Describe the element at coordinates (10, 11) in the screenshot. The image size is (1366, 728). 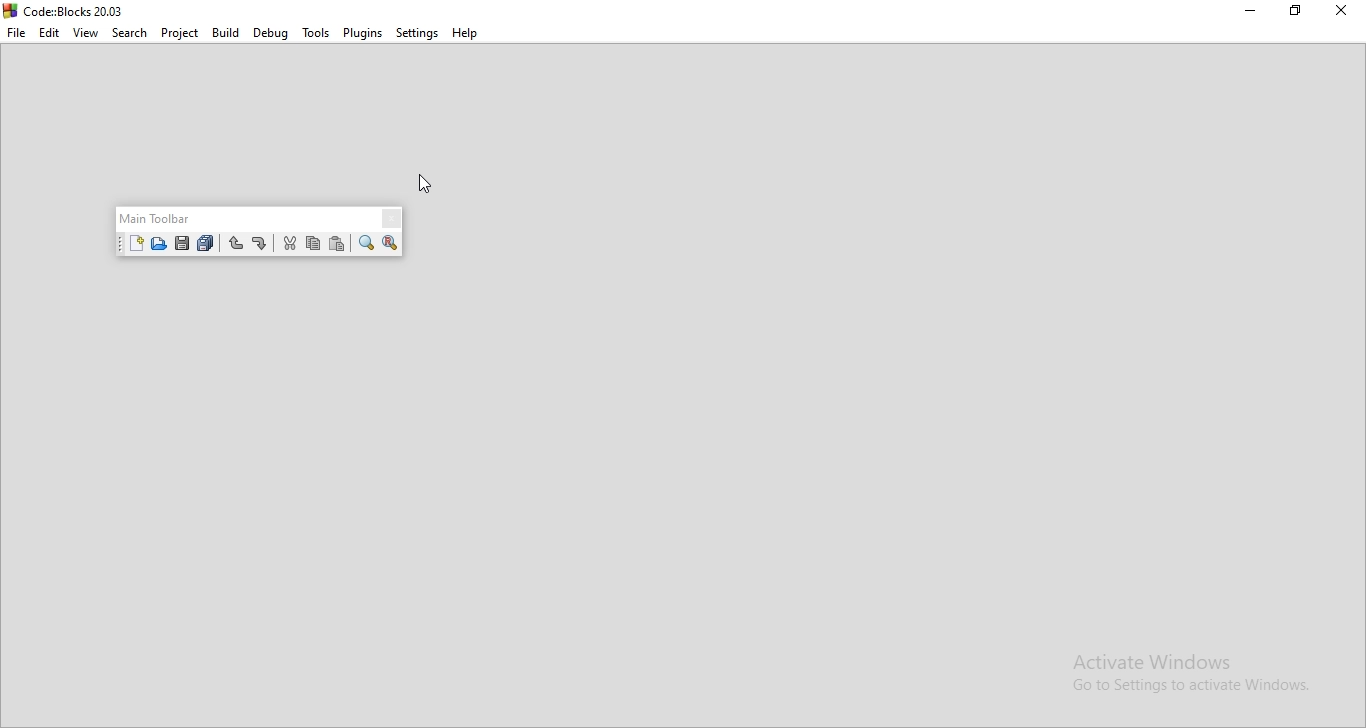
I see `logo` at that location.